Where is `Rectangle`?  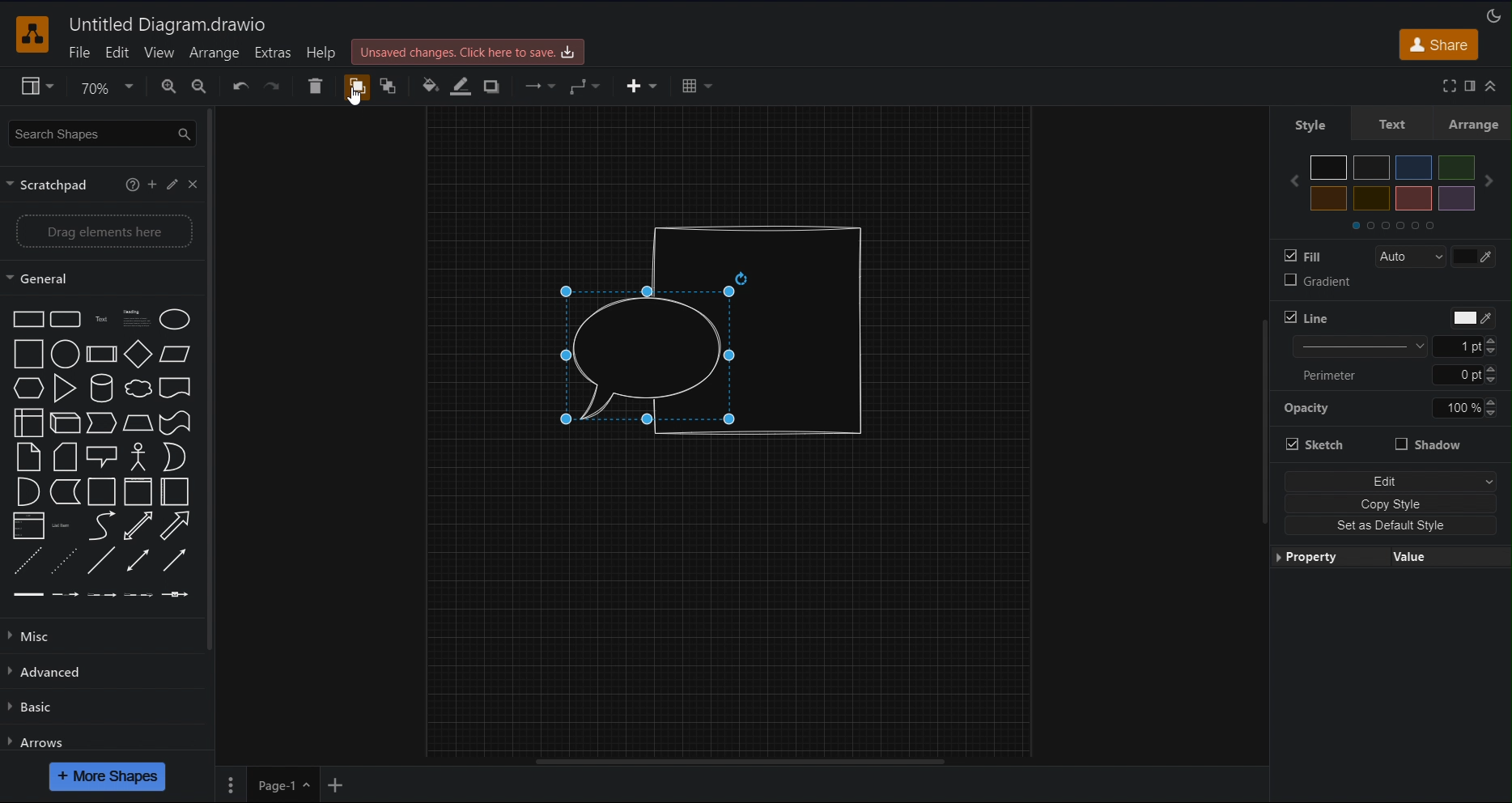 Rectangle is located at coordinates (28, 319).